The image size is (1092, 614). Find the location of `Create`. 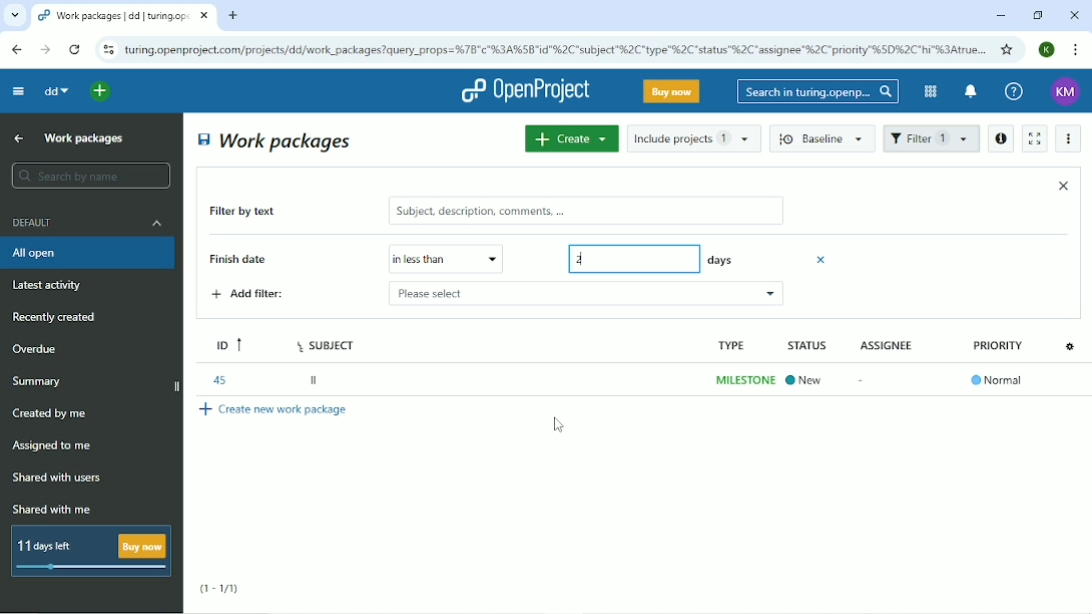

Create is located at coordinates (571, 138).